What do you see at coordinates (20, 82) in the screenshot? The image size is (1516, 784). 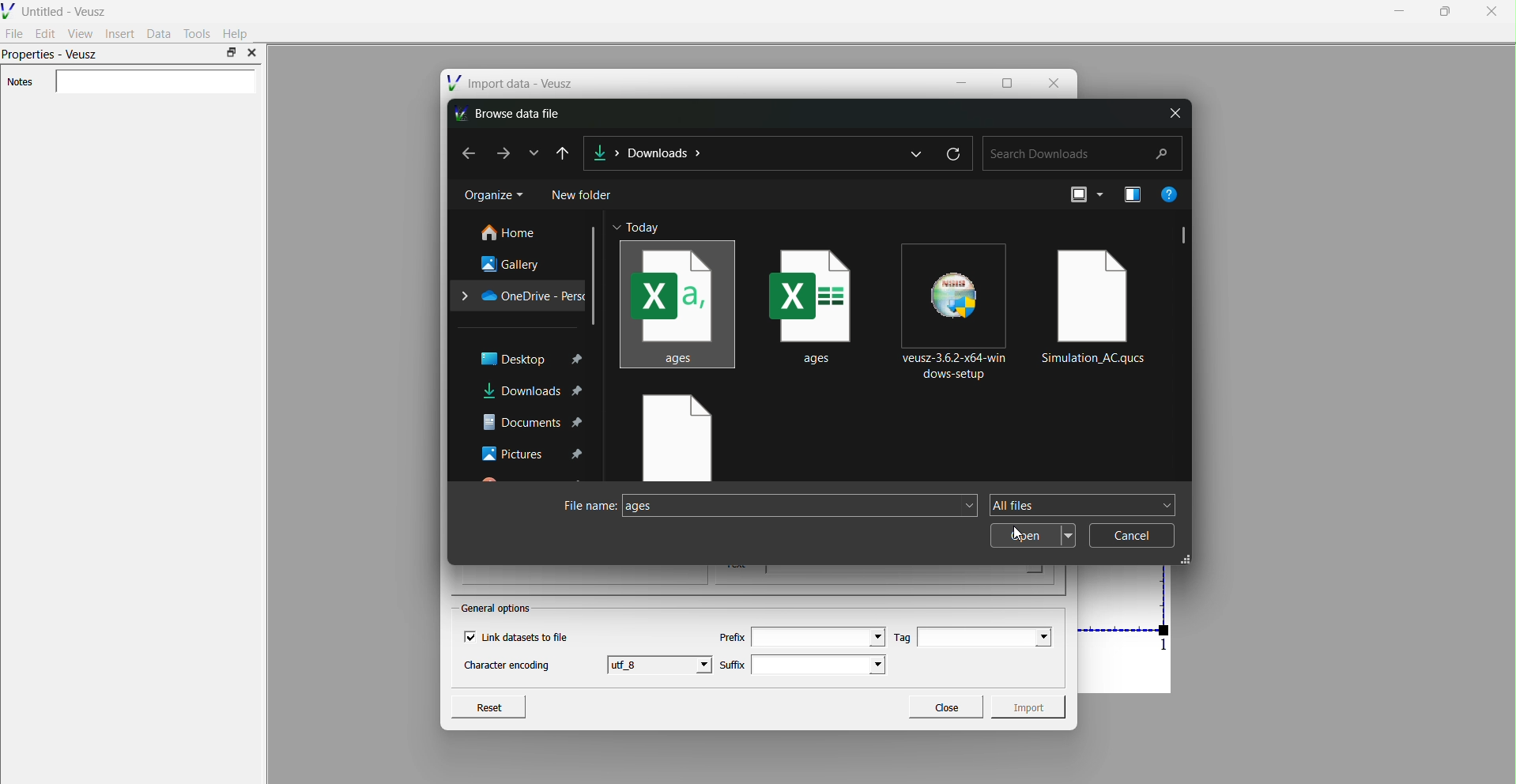 I see `Notes` at bounding box center [20, 82].